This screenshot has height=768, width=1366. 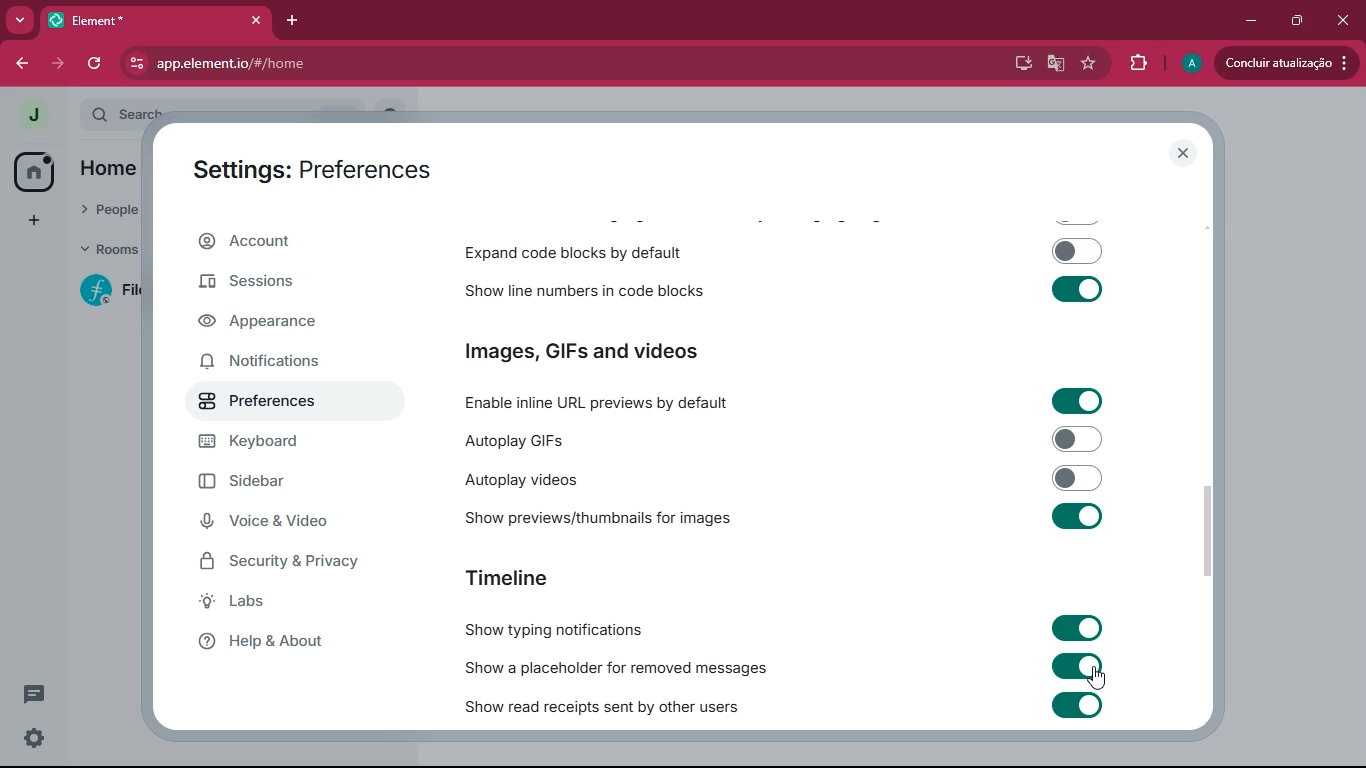 I want to click on add tab, so click(x=292, y=21).